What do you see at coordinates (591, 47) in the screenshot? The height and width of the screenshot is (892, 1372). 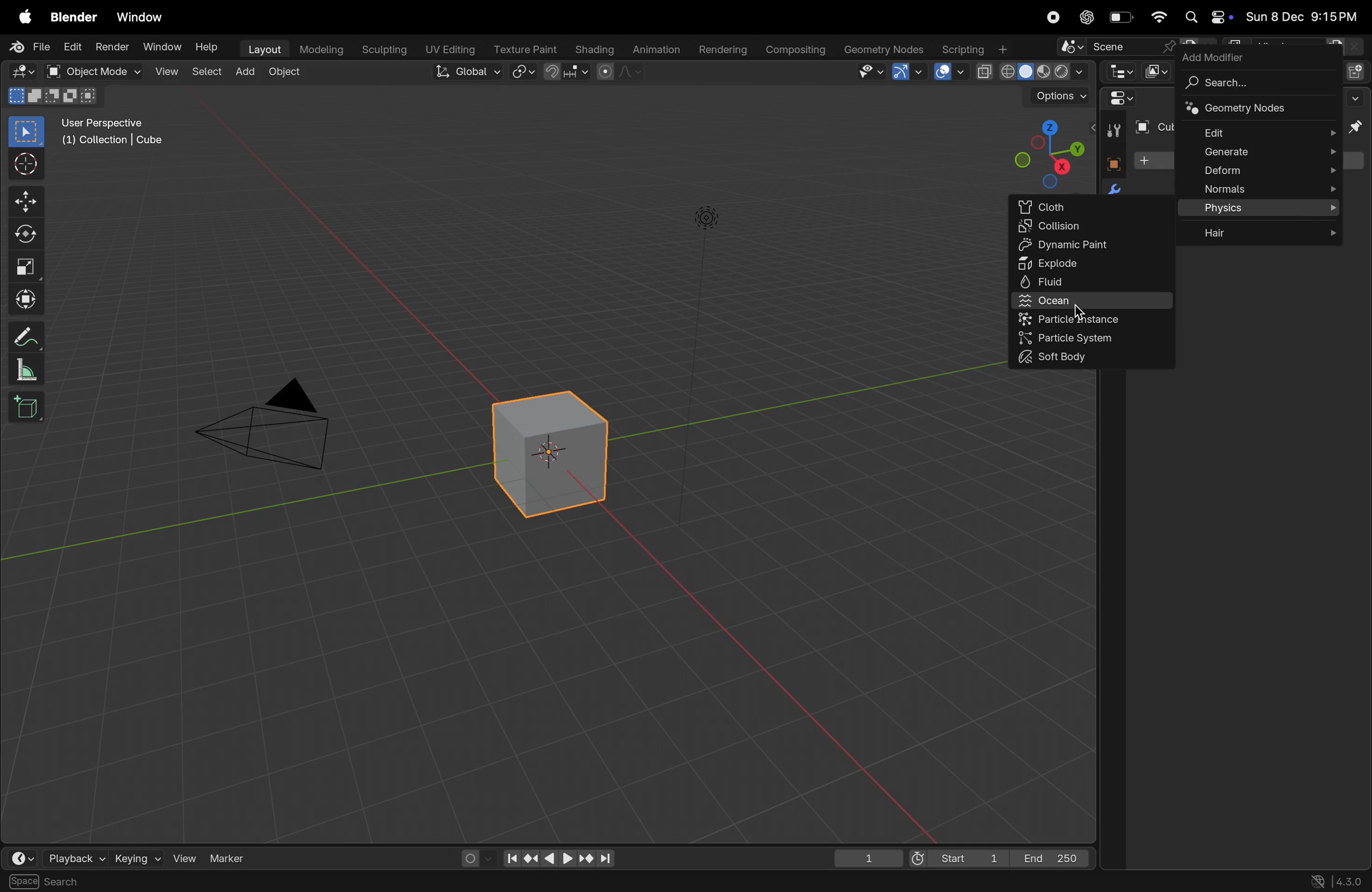 I see `shading` at bounding box center [591, 47].